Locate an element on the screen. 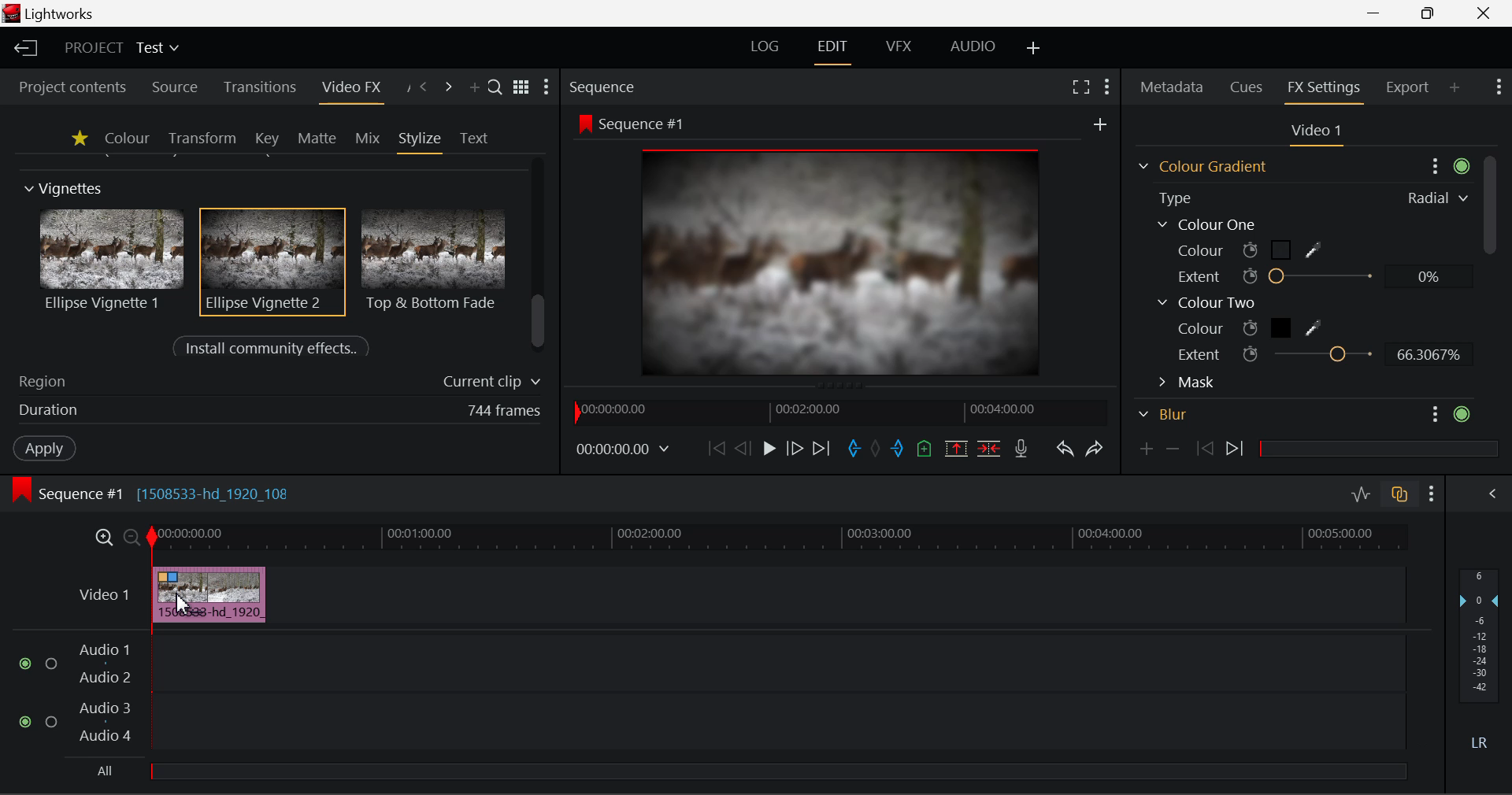  Transform is located at coordinates (202, 138).